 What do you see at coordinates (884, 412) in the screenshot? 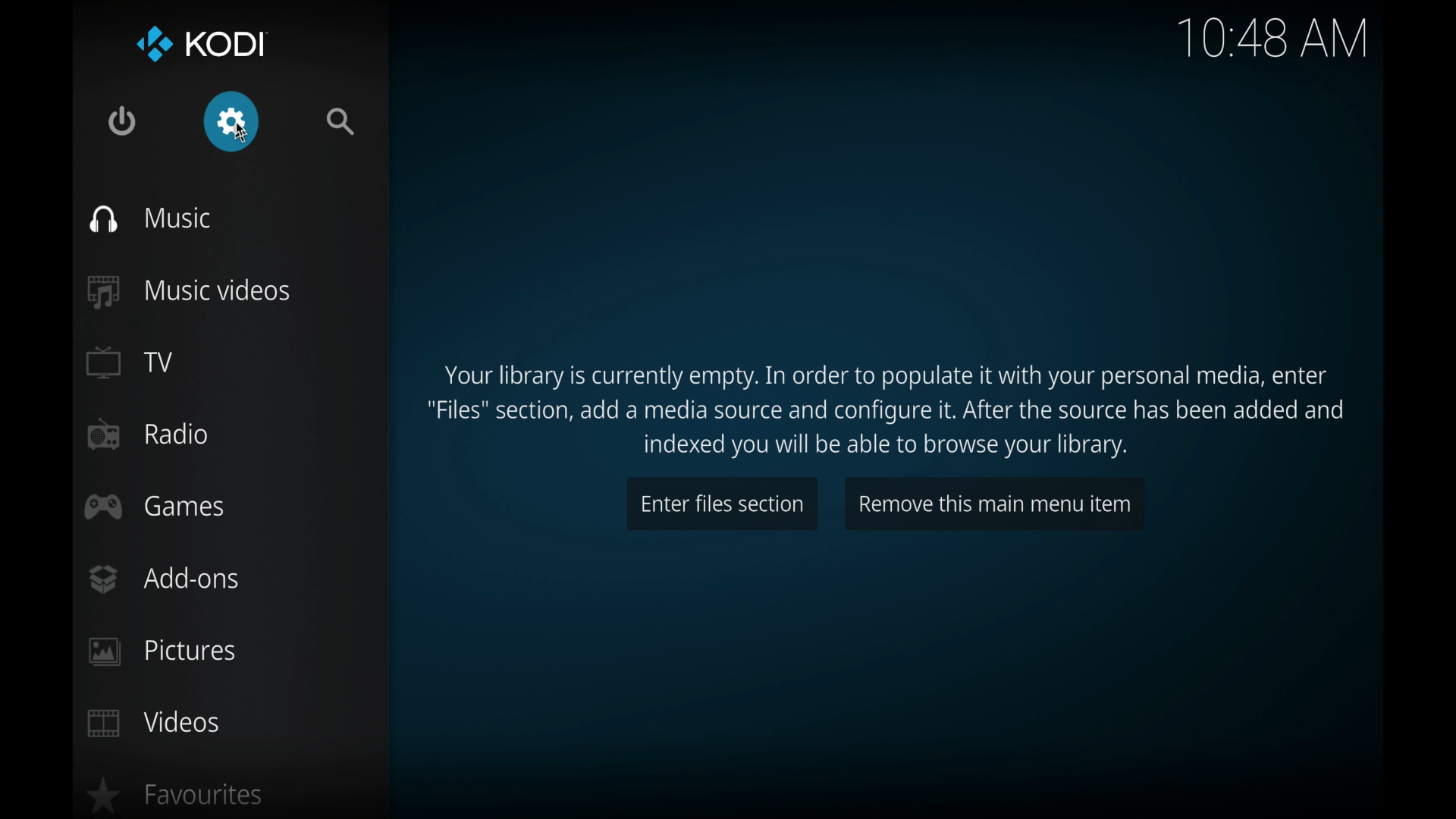
I see `instructions to populate media library` at bounding box center [884, 412].